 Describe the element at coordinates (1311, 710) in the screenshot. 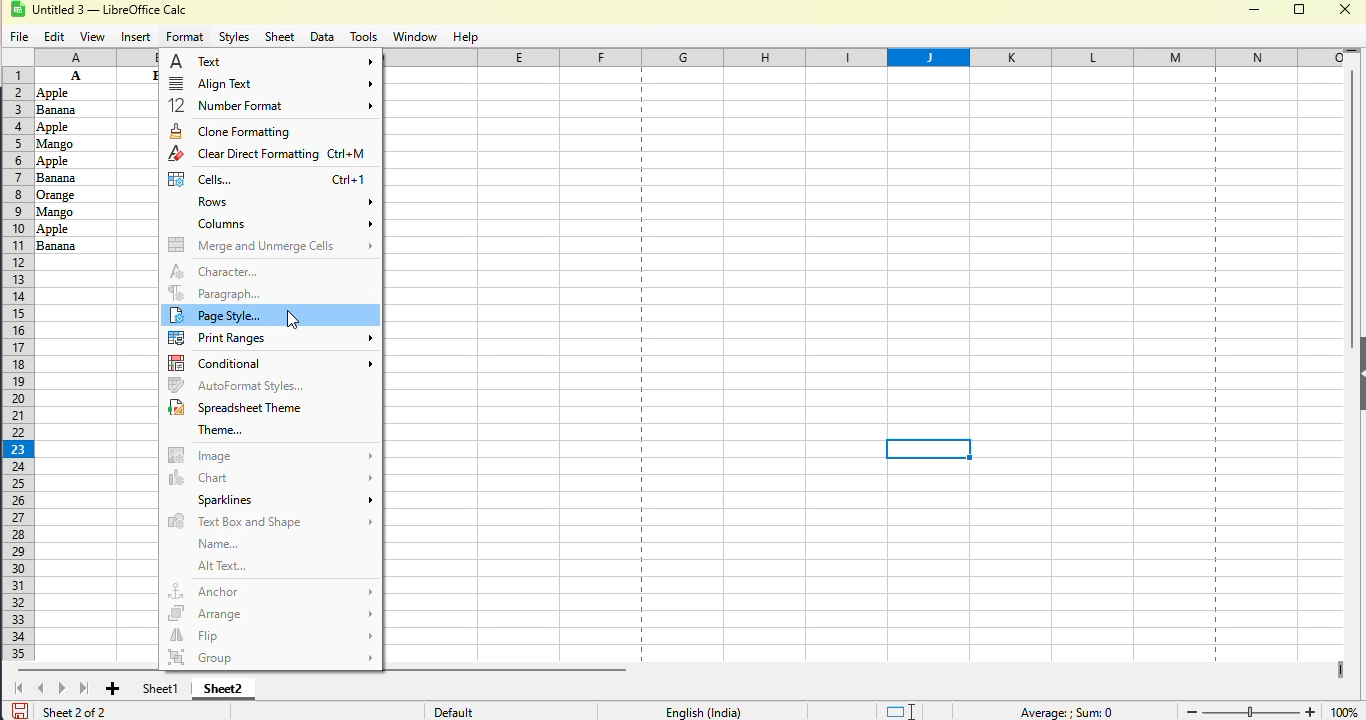

I see `zoom in` at that location.